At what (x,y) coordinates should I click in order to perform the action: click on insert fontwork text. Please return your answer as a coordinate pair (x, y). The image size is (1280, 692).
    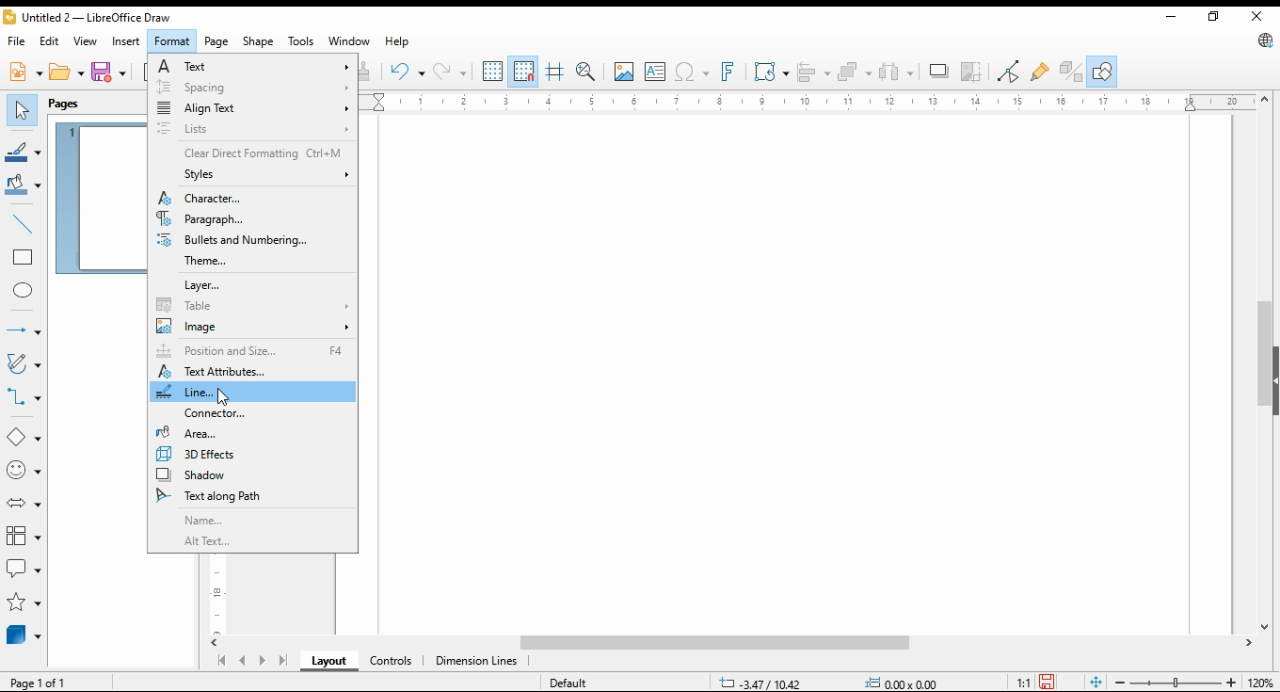
    Looking at the image, I should click on (726, 72).